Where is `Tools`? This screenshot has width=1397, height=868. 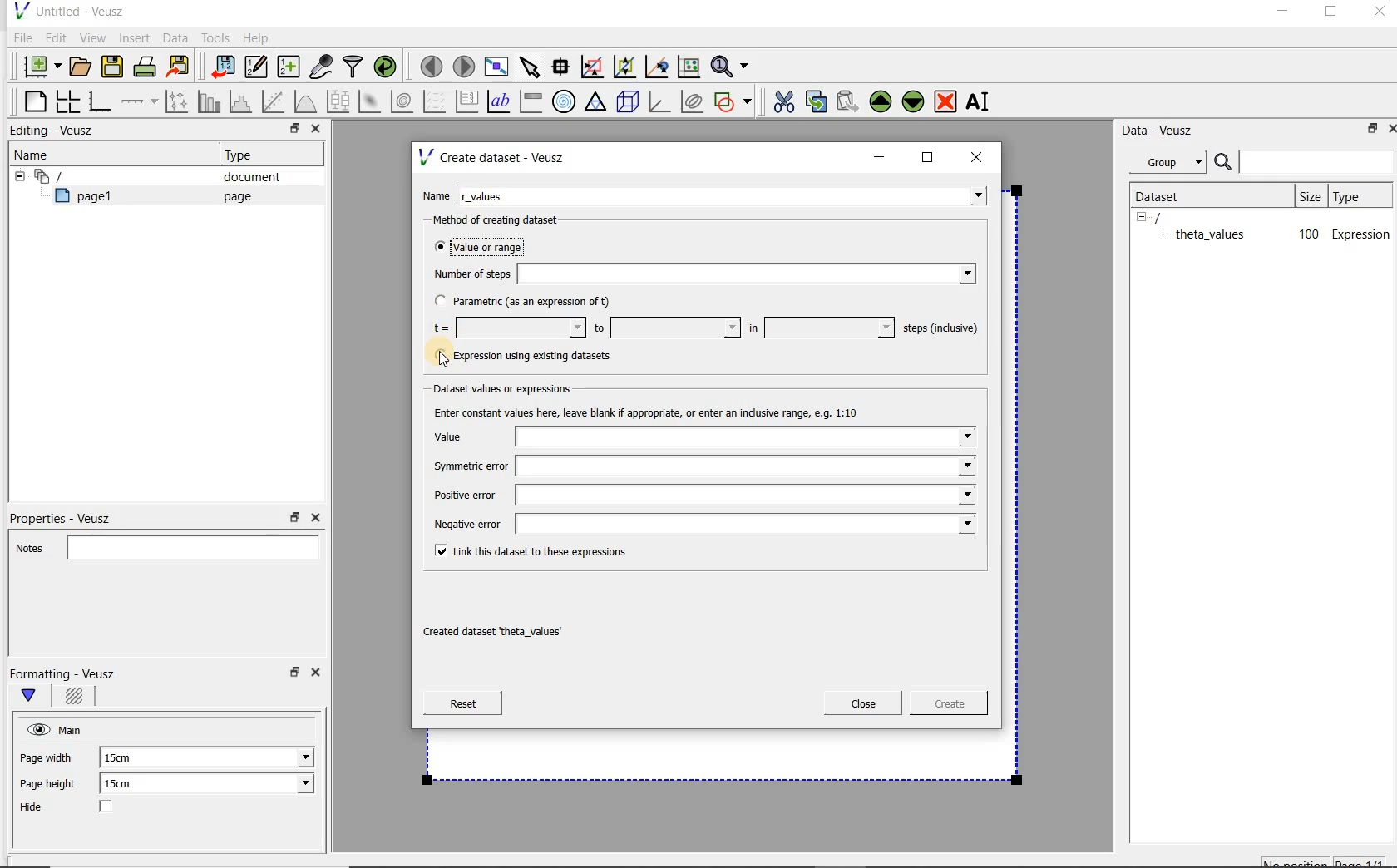
Tools is located at coordinates (214, 38).